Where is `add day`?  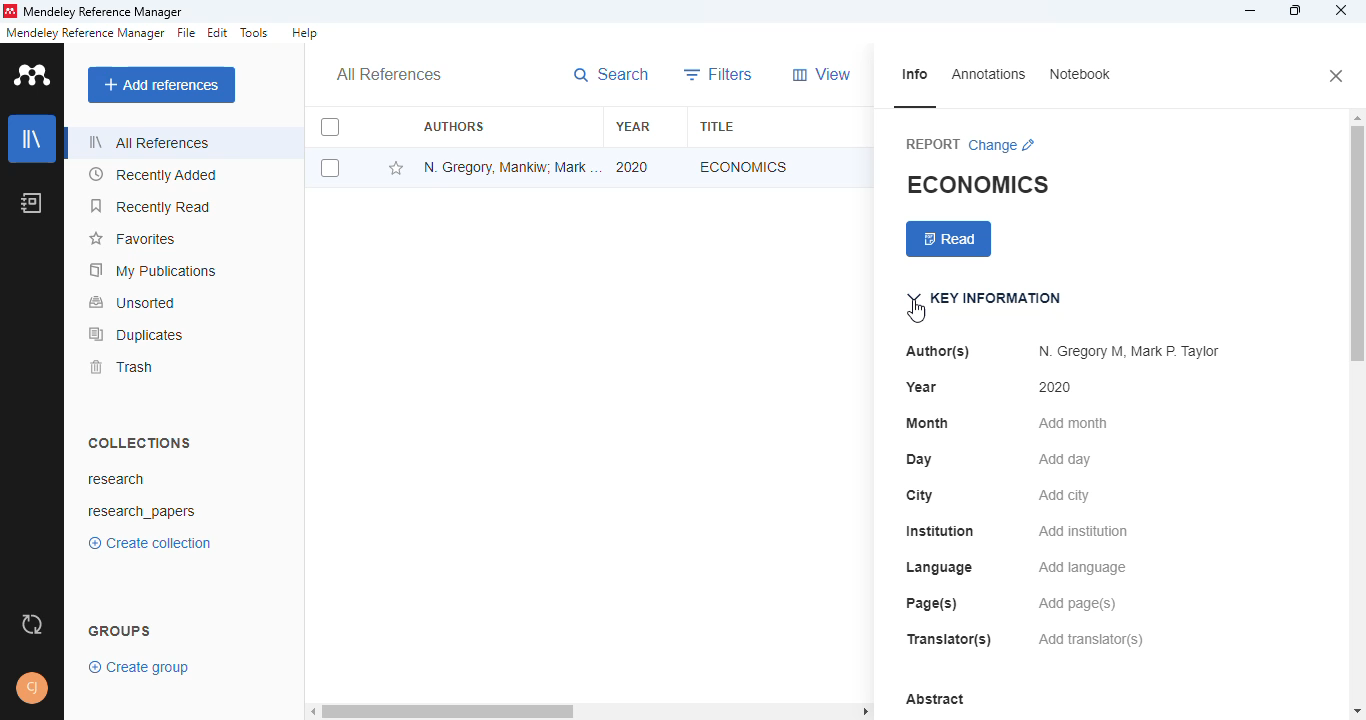
add day is located at coordinates (1065, 459).